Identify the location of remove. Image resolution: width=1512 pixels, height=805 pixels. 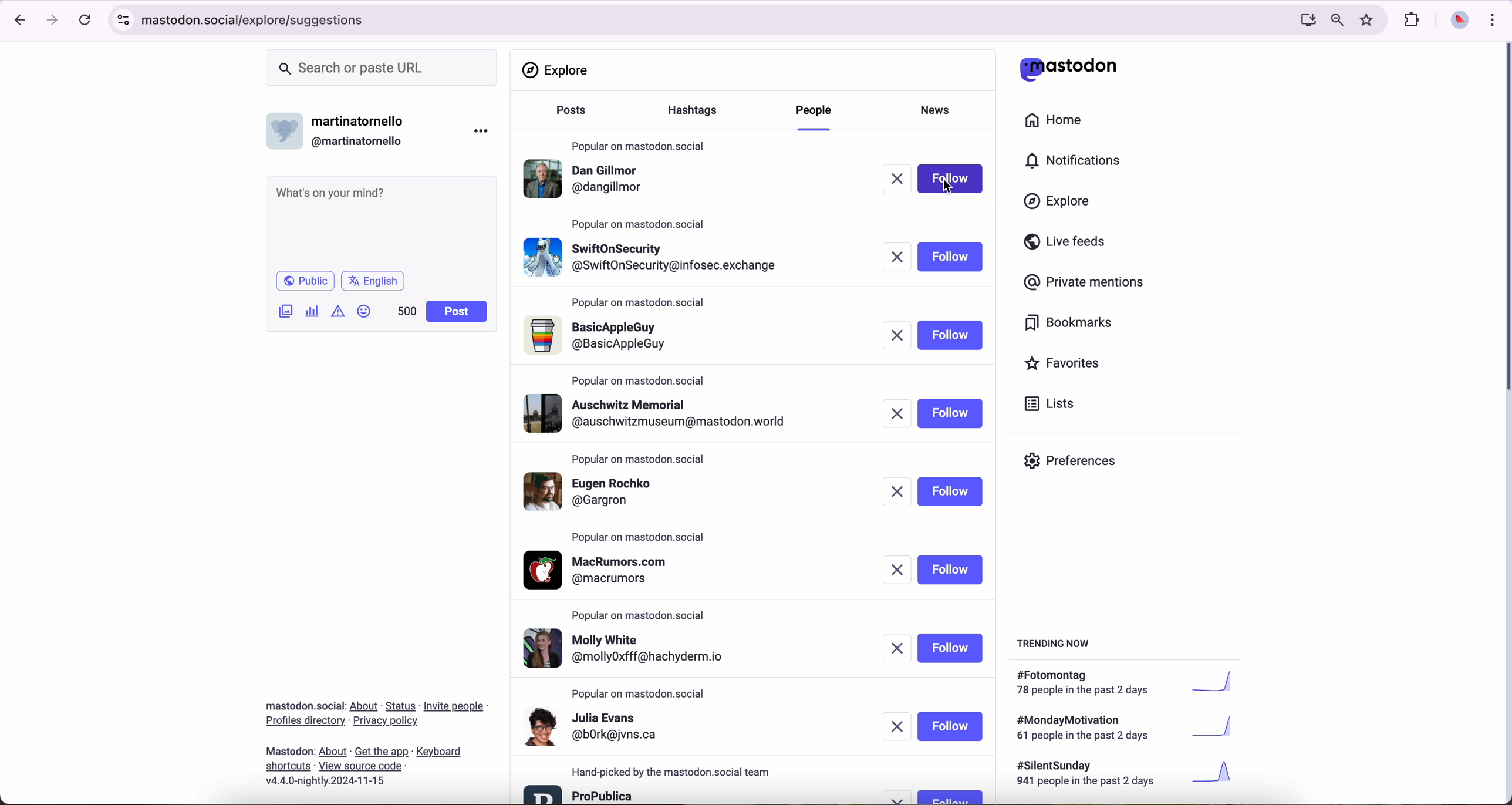
(897, 570).